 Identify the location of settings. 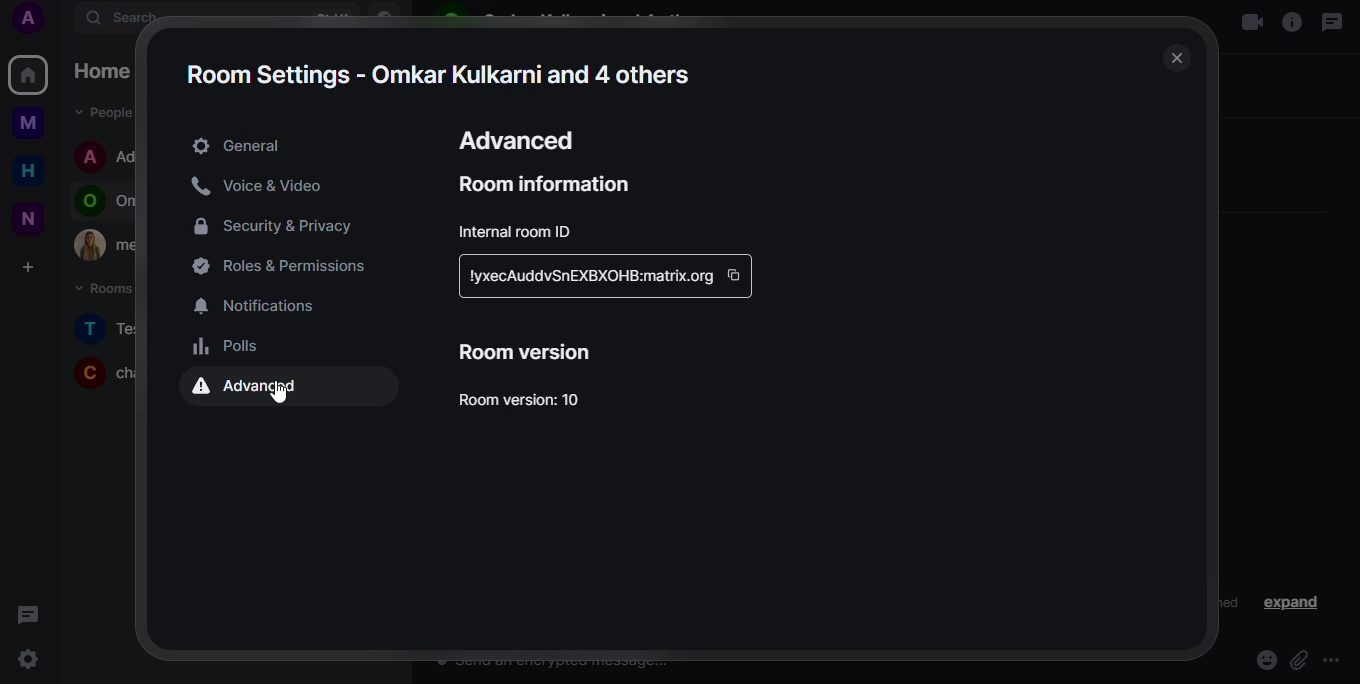
(30, 660).